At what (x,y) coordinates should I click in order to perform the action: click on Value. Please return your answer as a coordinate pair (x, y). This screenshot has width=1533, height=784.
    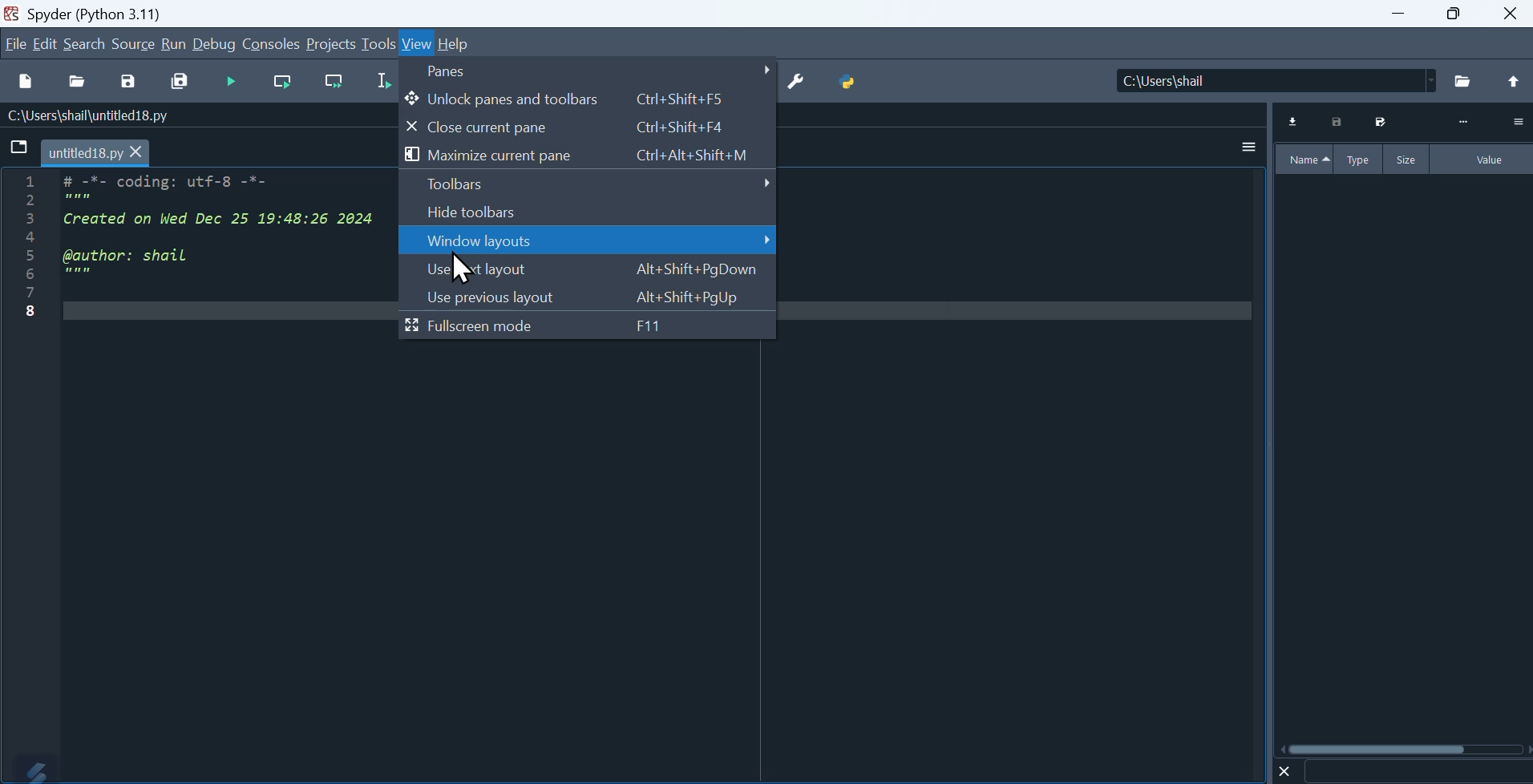
    Looking at the image, I should click on (1483, 160).